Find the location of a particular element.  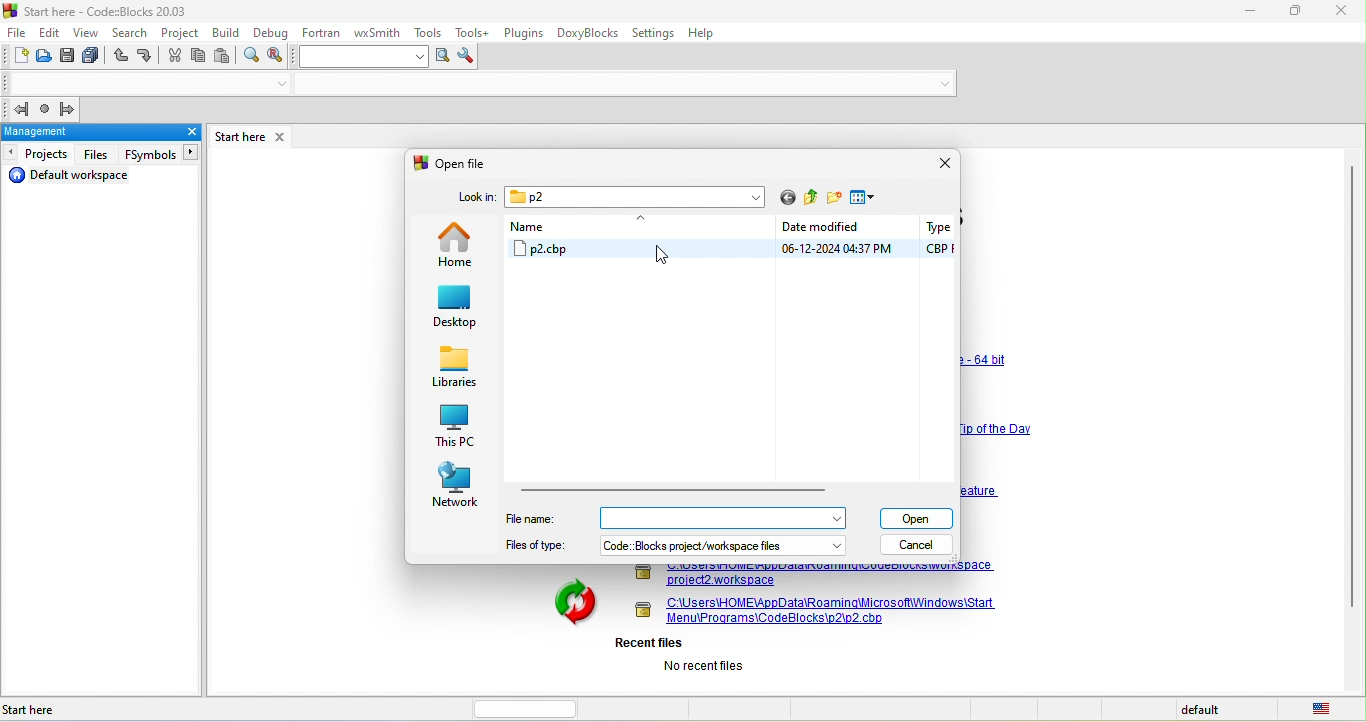

search is located at coordinates (133, 33).